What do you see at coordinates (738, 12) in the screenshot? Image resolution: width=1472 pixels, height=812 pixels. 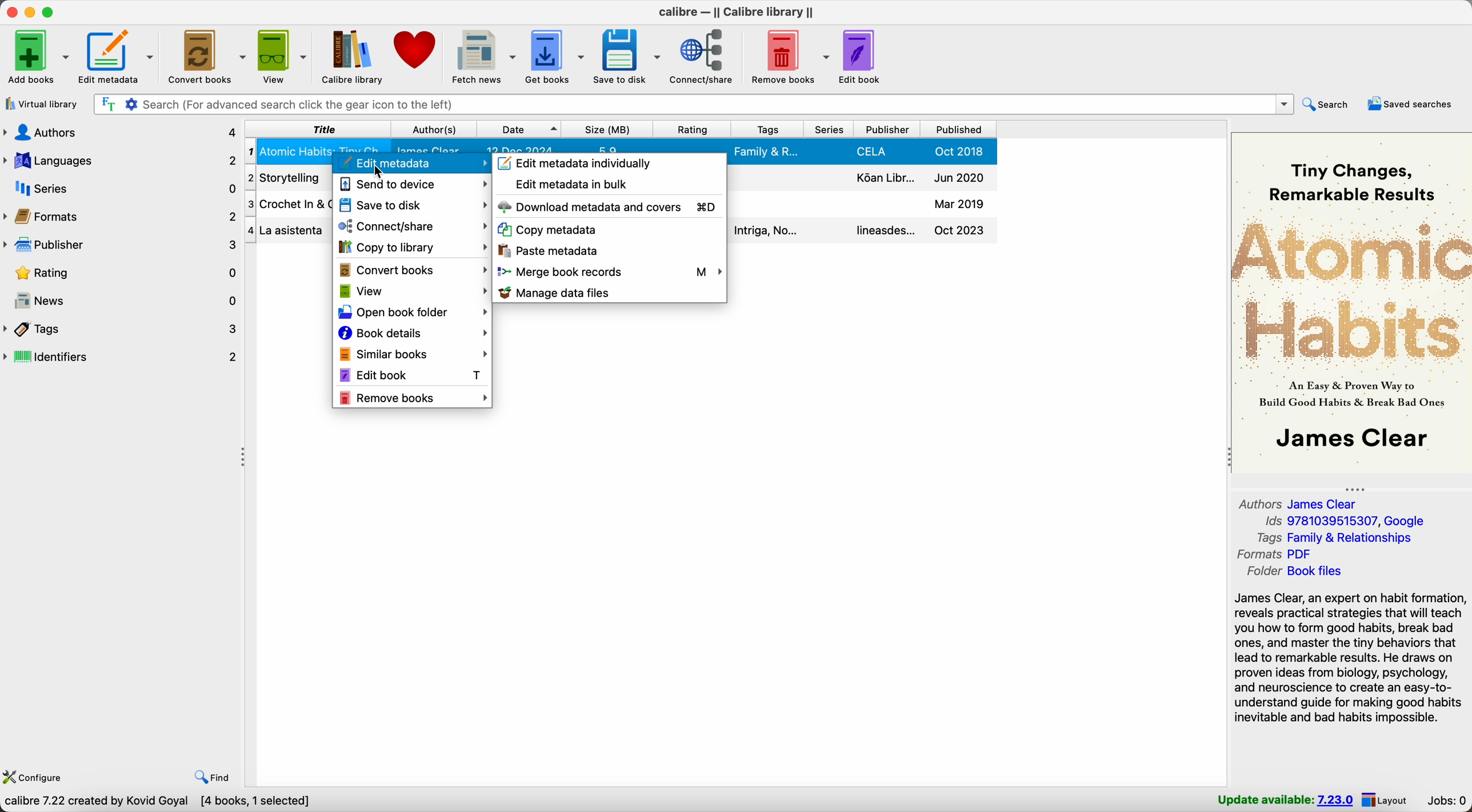 I see `Calibre` at bounding box center [738, 12].